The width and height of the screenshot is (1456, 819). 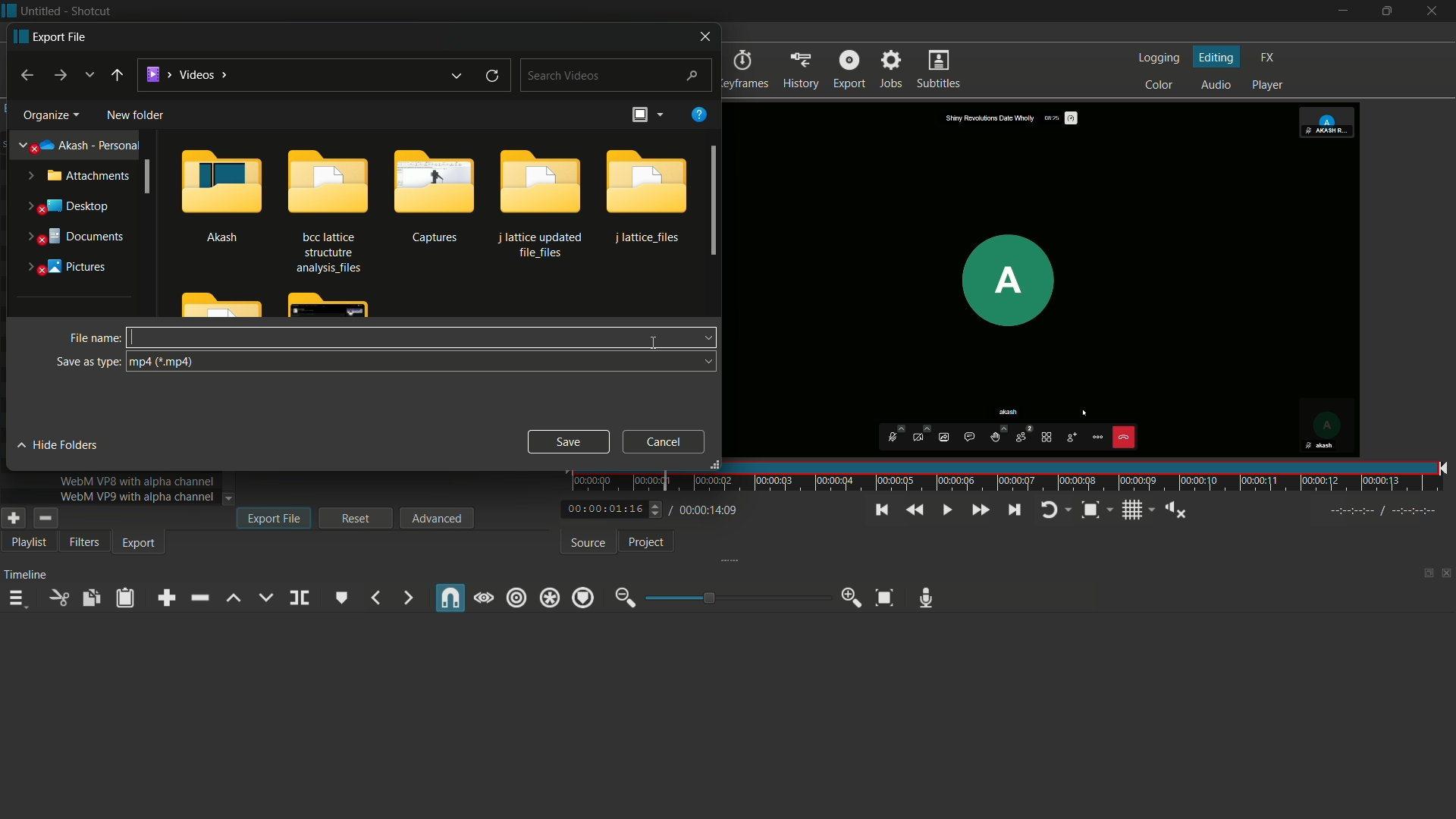 I want to click on subtitles, so click(x=939, y=70).